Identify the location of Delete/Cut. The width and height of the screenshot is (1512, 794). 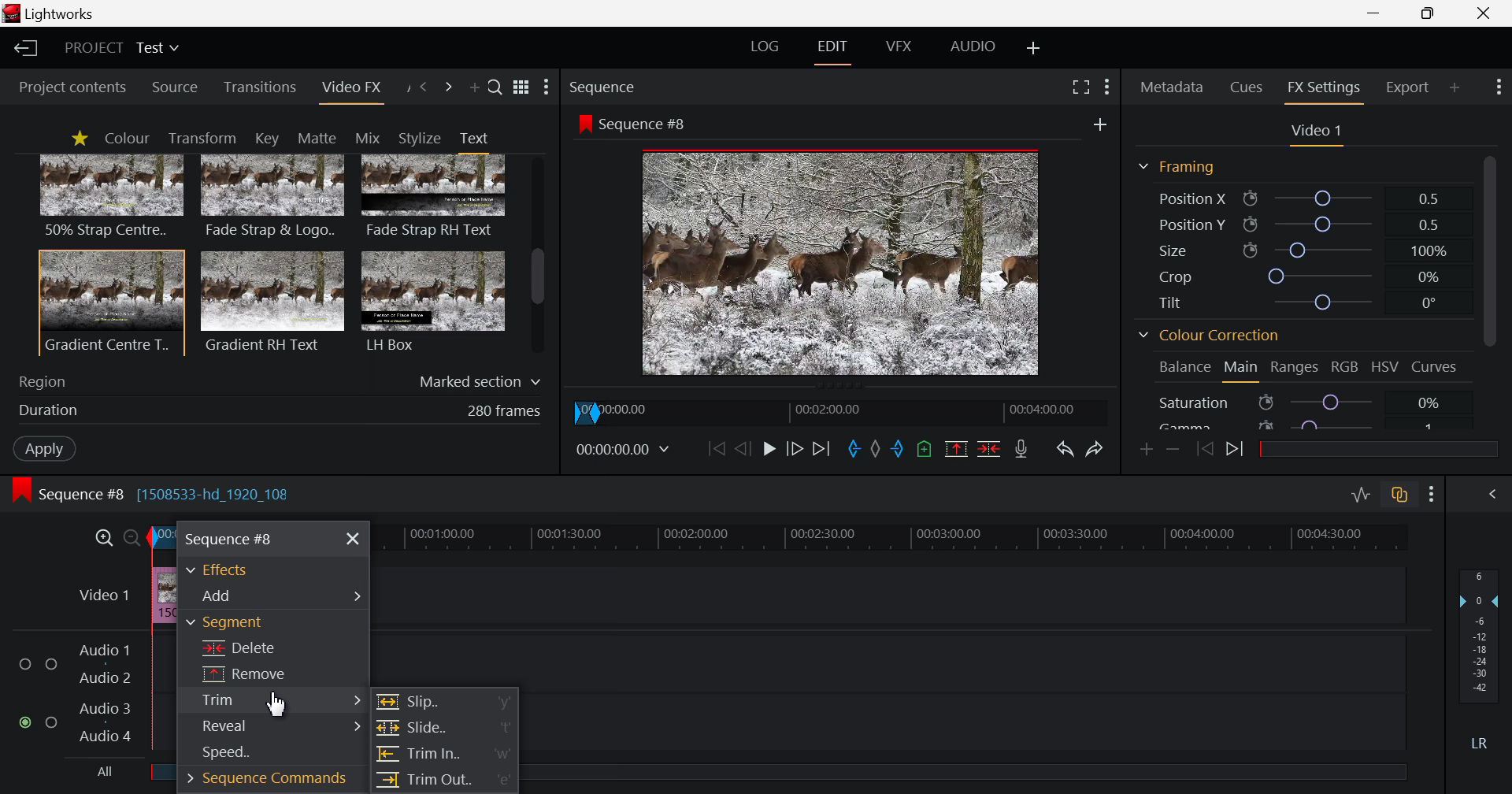
(989, 451).